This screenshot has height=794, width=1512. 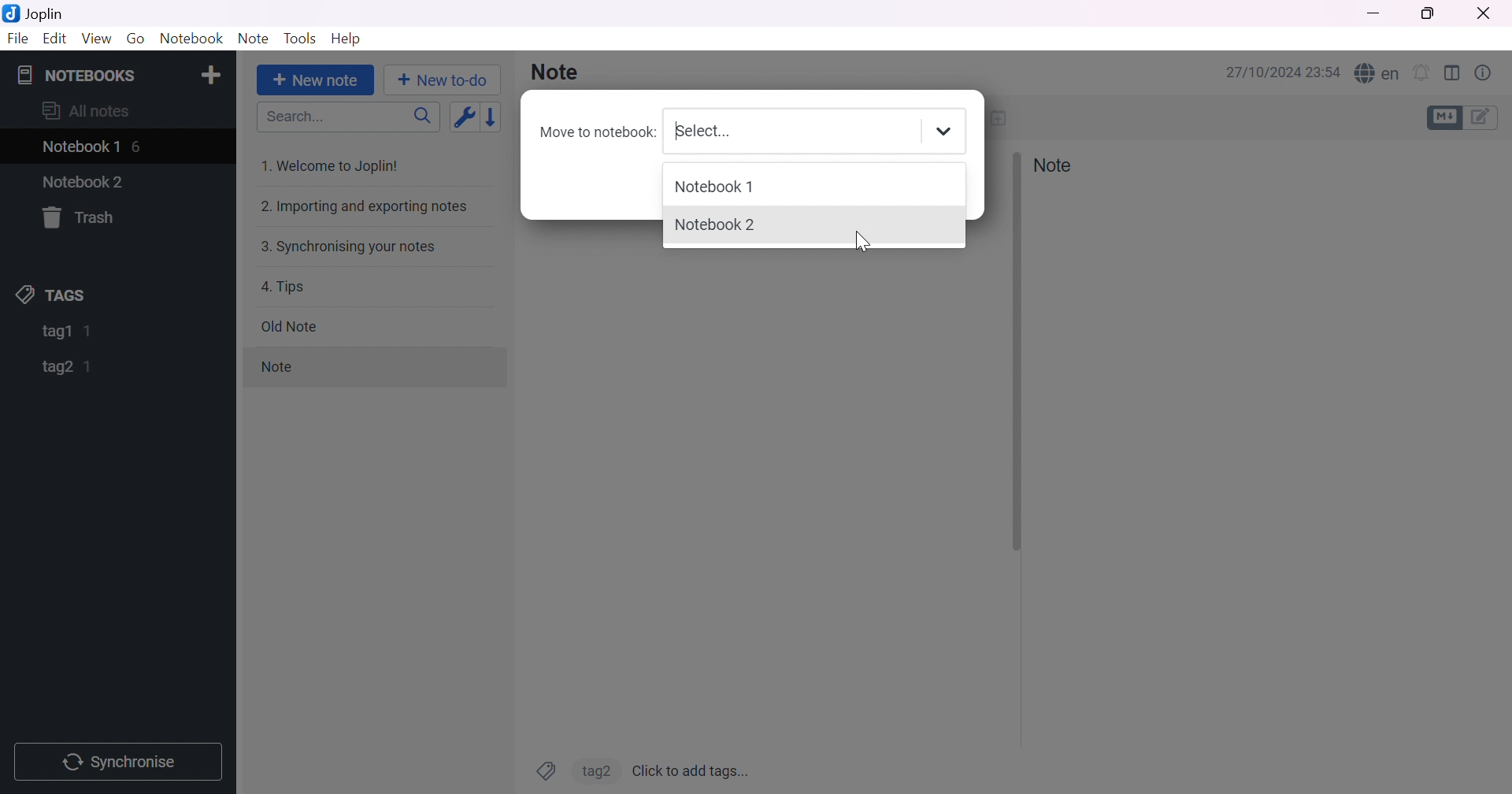 What do you see at coordinates (346, 40) in the screenshot?
I see `Help` at bounding box center [346, 40].